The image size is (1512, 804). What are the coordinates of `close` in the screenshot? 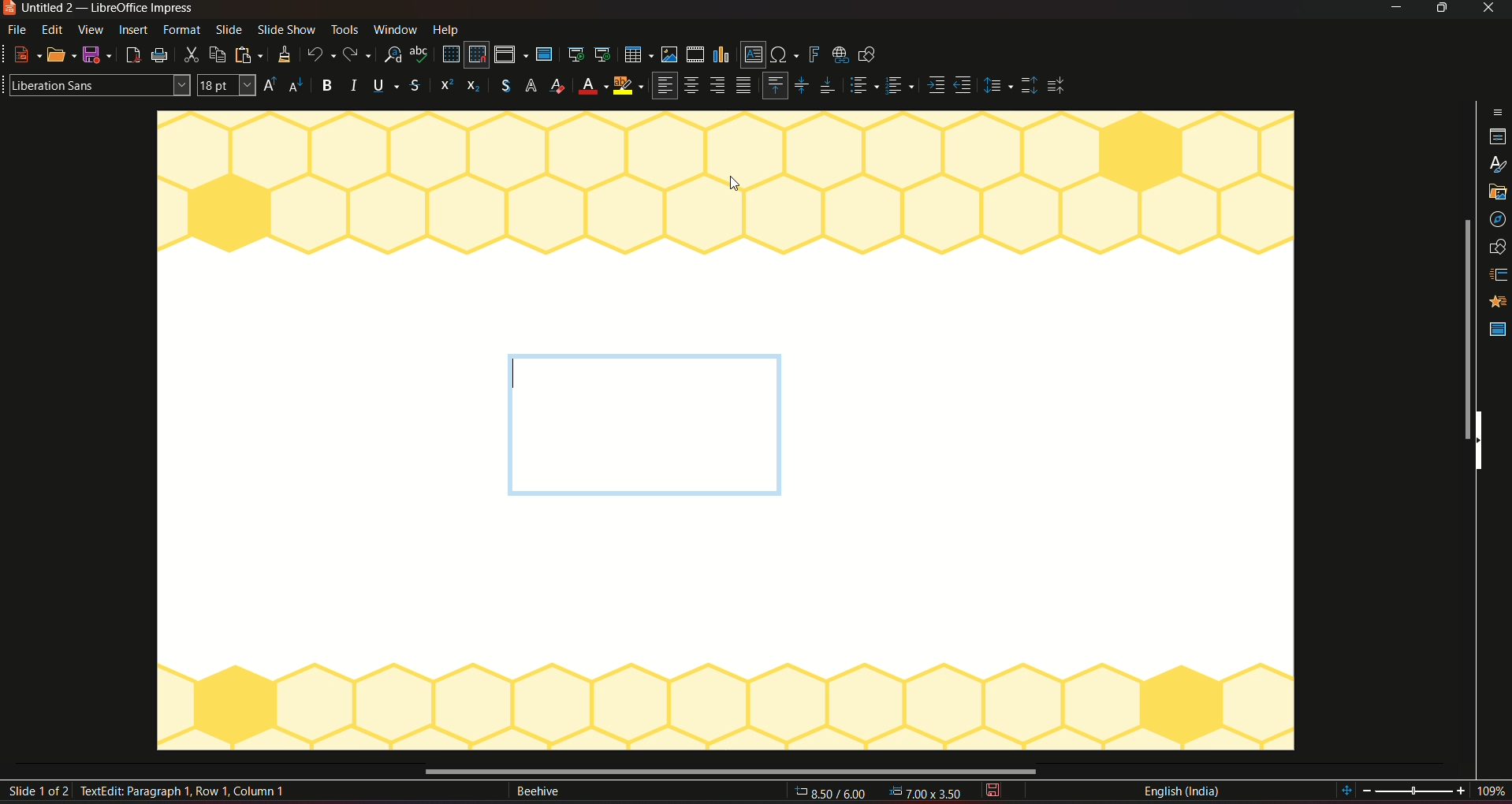 It's located at (1488, 9).